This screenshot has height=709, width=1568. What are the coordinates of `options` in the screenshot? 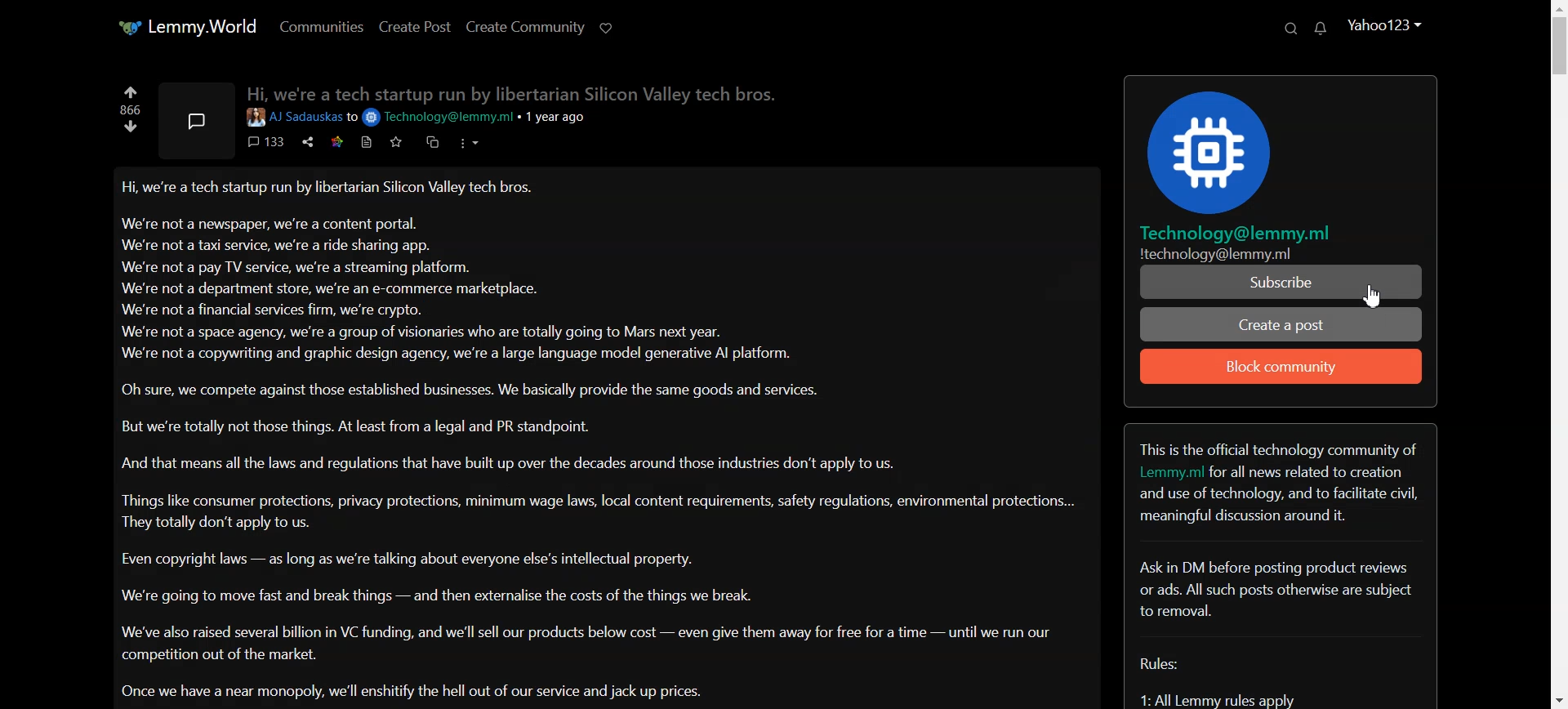 It's located at (470, 142).